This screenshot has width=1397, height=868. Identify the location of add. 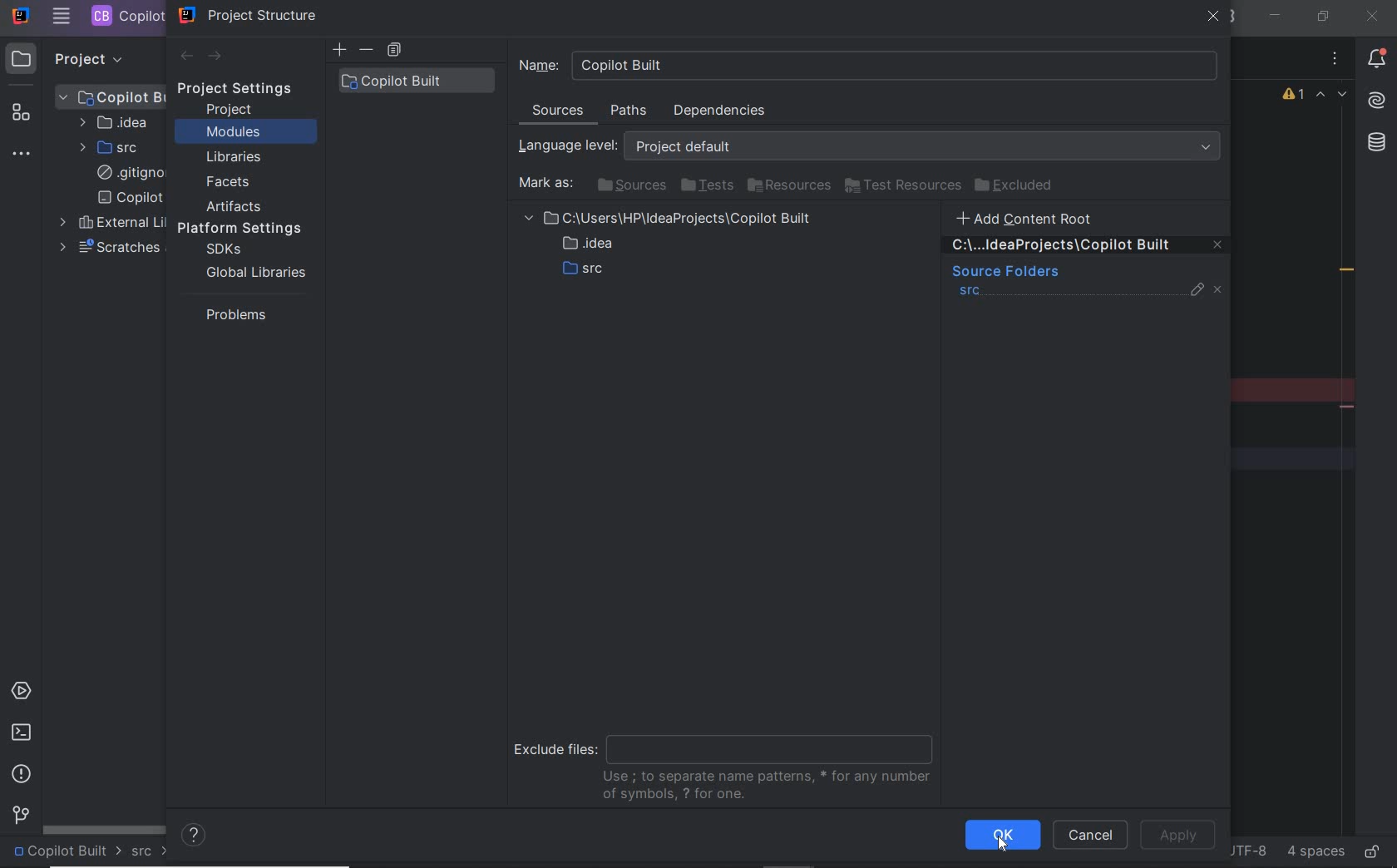
(339, 50).